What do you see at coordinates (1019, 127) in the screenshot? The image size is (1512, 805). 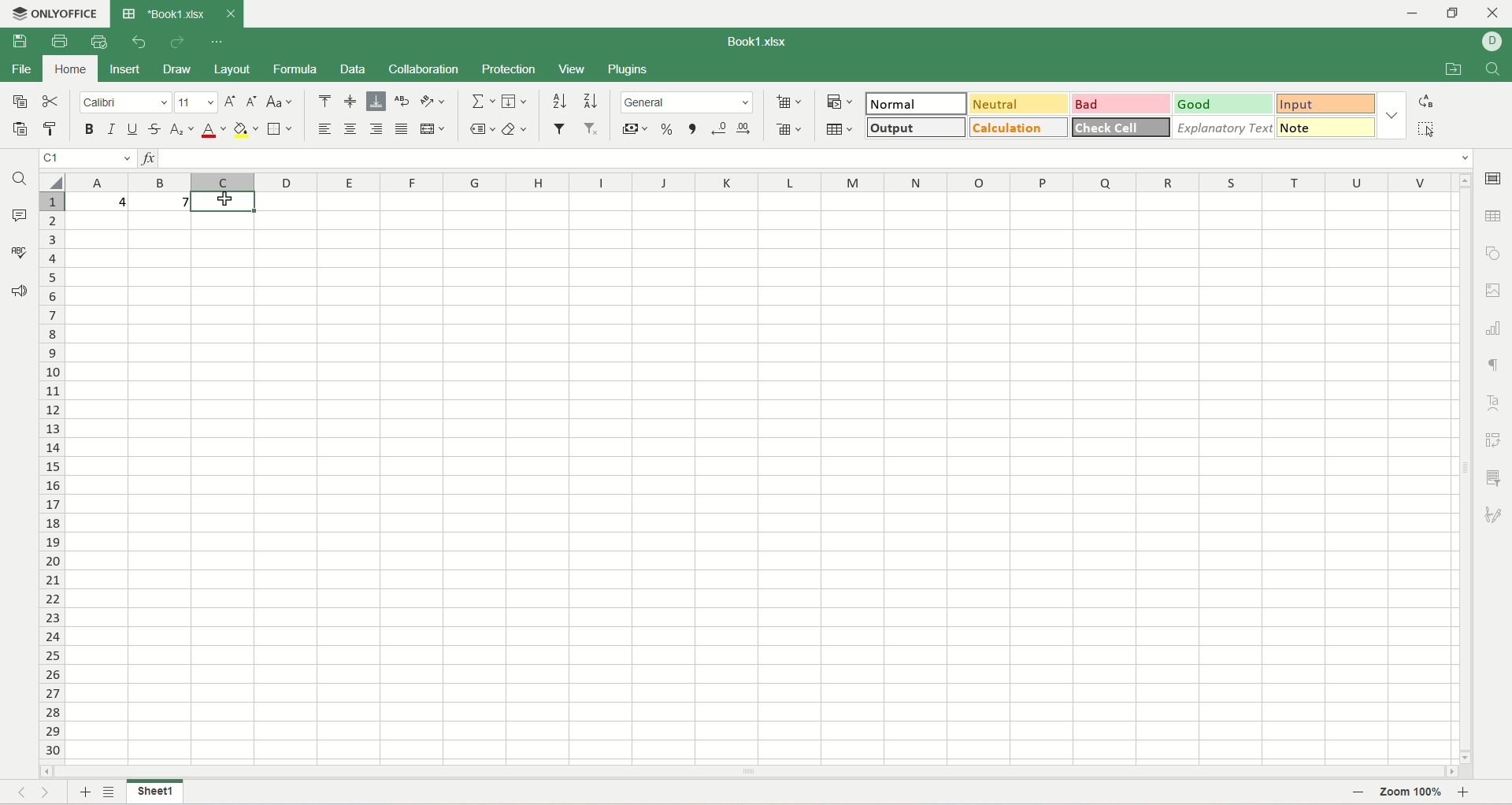 I see `calculation` at bounding box center [1019, 127].